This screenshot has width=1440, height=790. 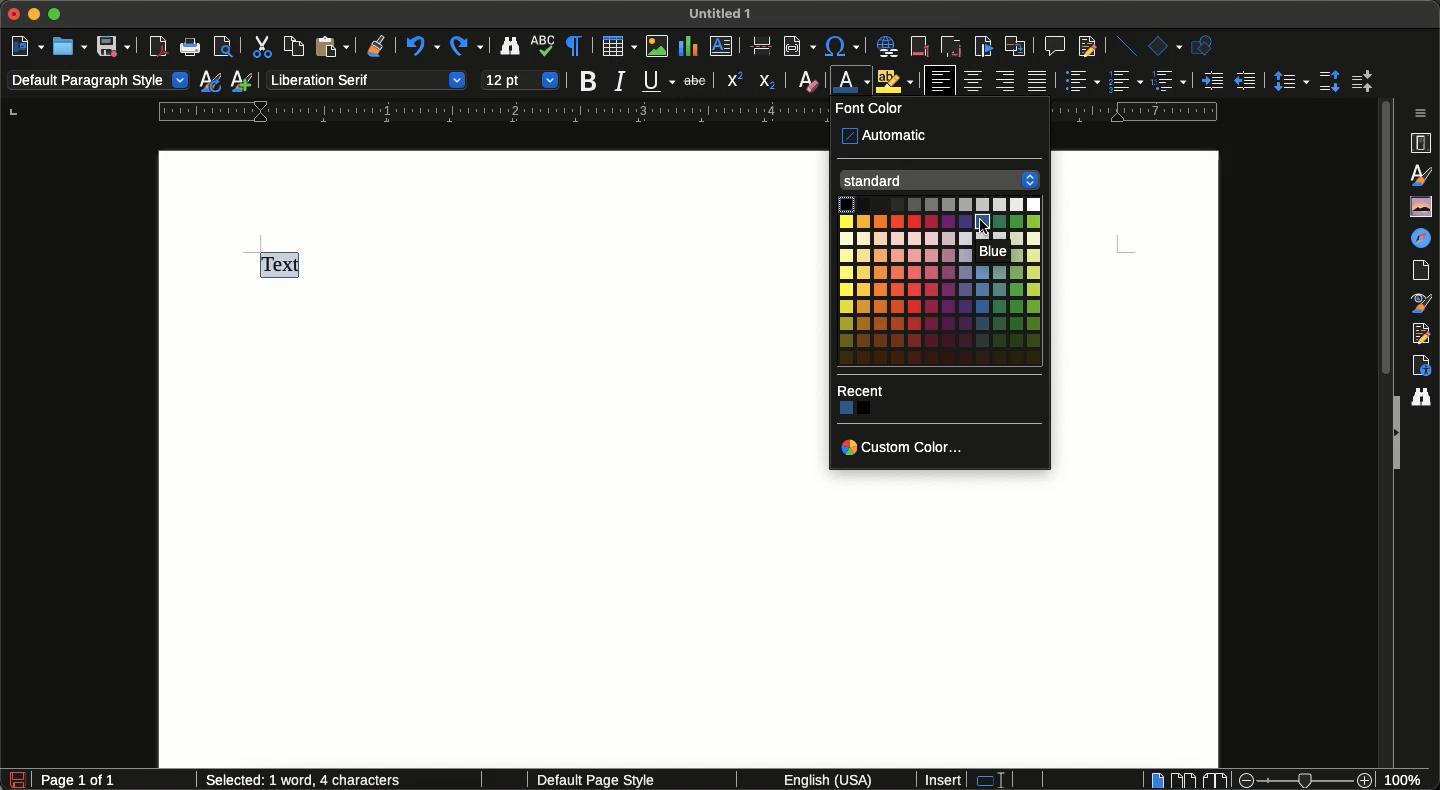 What do you see at coordinates (521, 78) in the screenshot?
I see `Font size` at bounding box center [521, 78].